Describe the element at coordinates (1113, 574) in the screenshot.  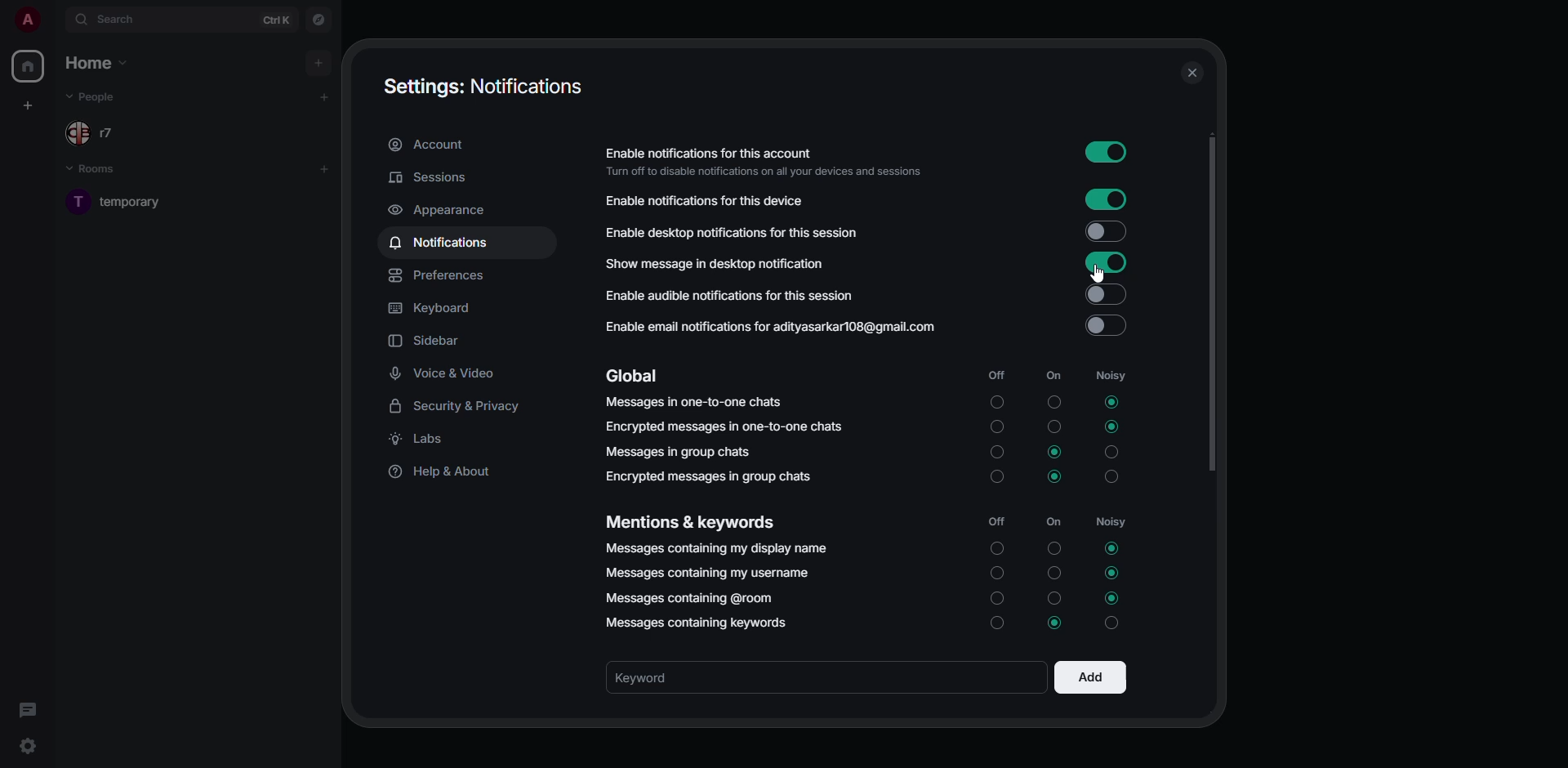
I see `selected` at that location.